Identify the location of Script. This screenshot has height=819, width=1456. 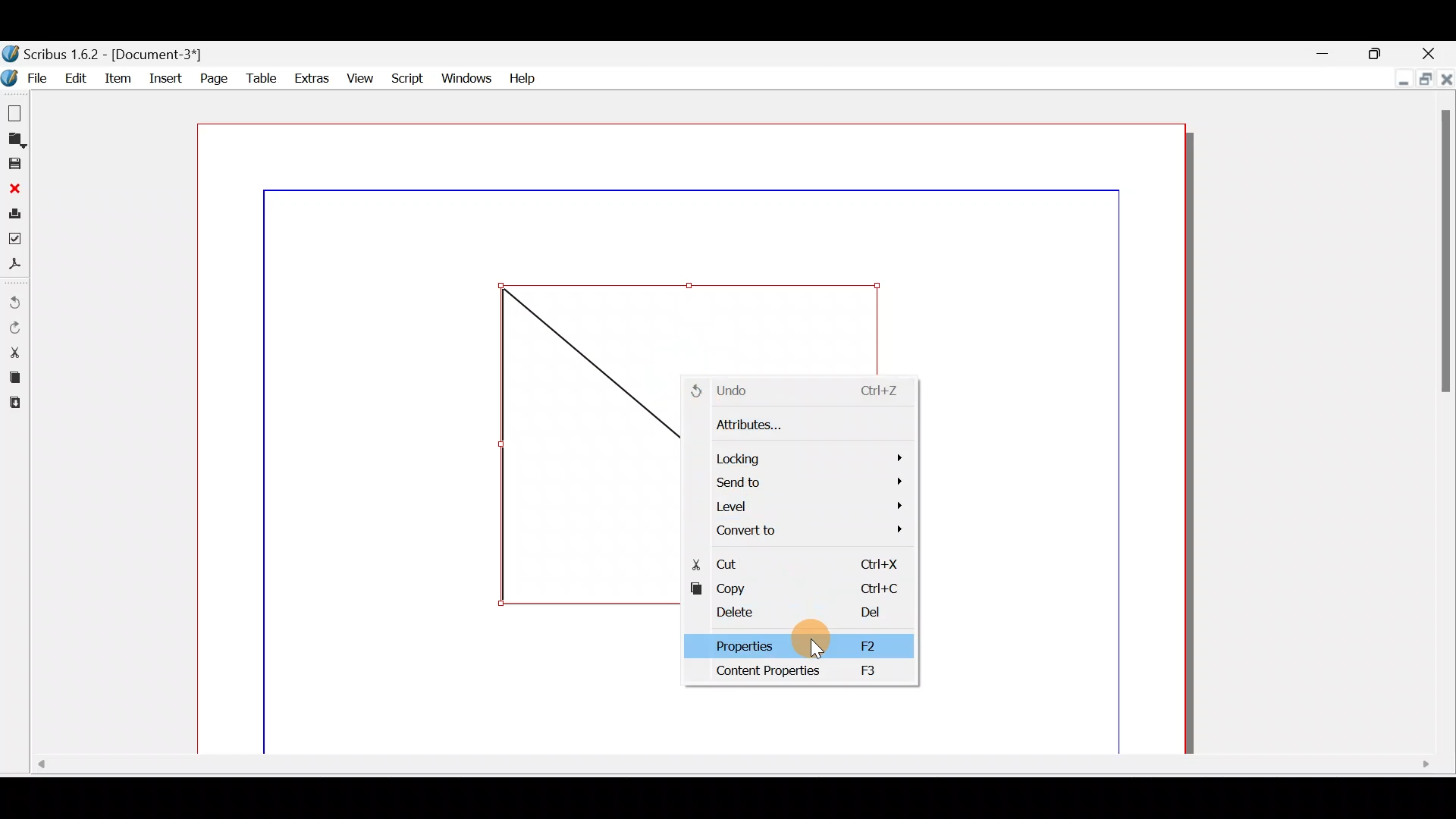
(406, 78).